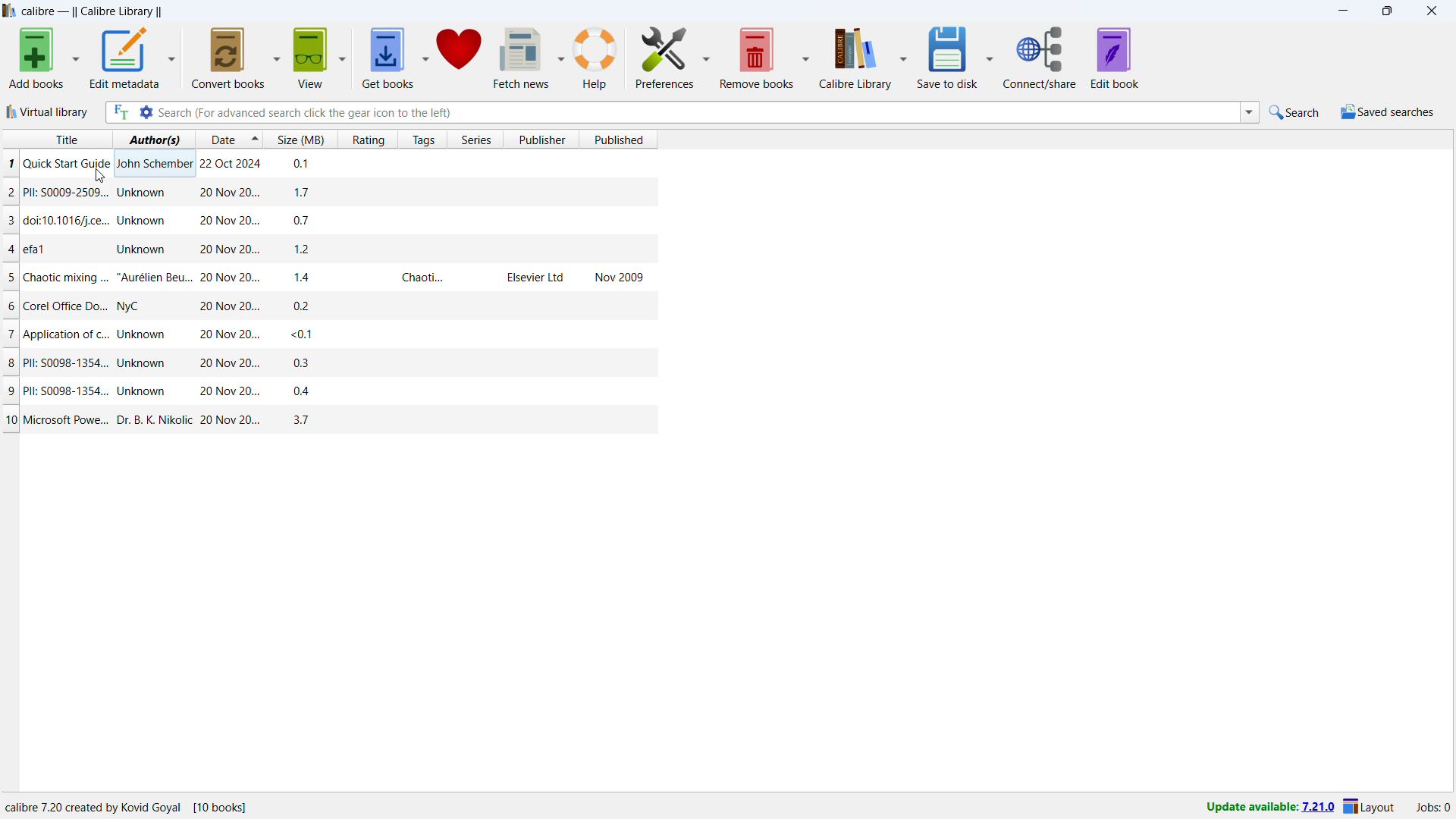 The width and height of the screenshot is (1456, 819). I want to click on sort by date, so click(220, 139).